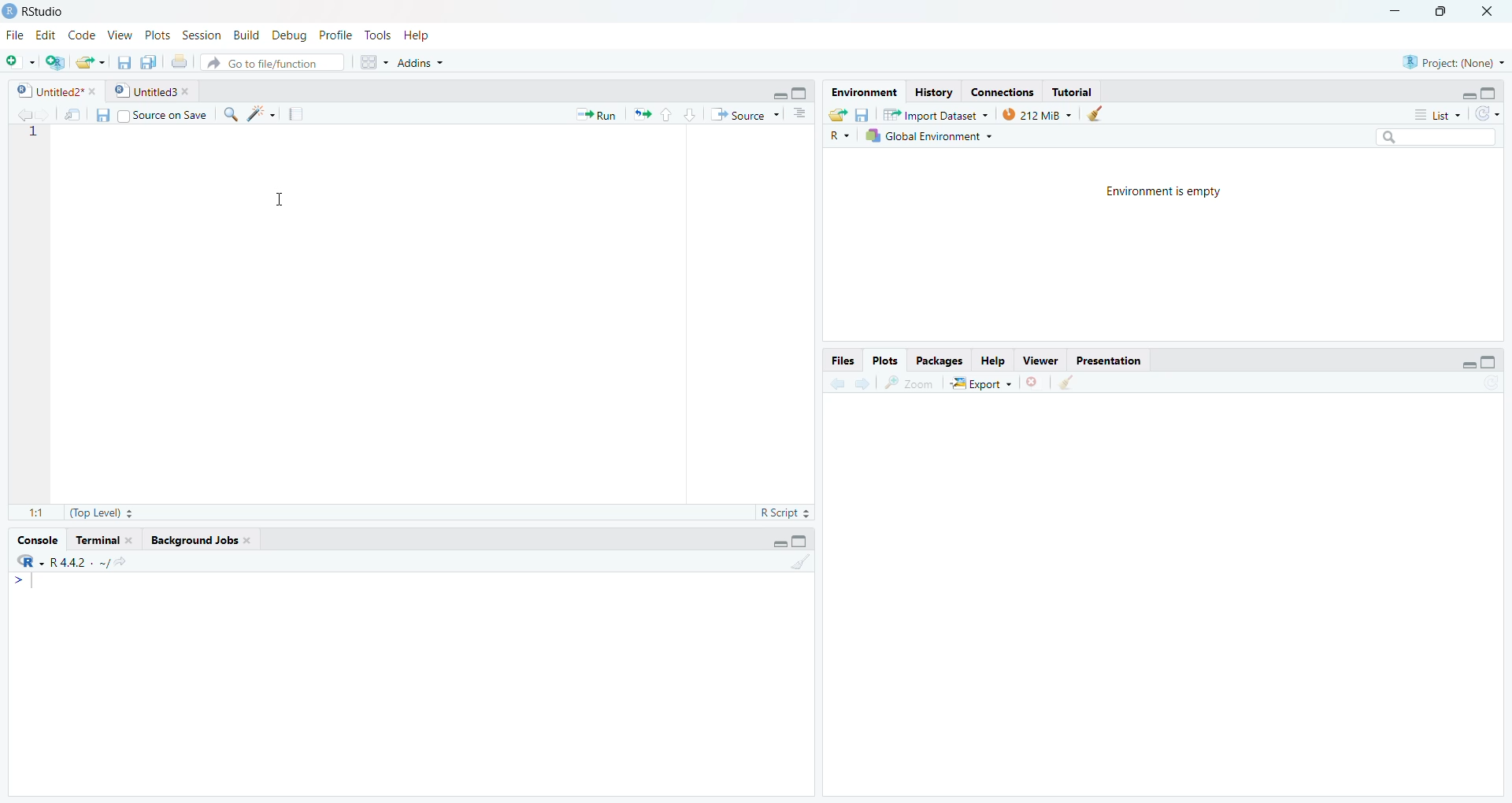 This screenshot has width=1512, height=803. Describe the element at coordinates (806, 568) in the screenshot. I see `CLEAR` at that location.